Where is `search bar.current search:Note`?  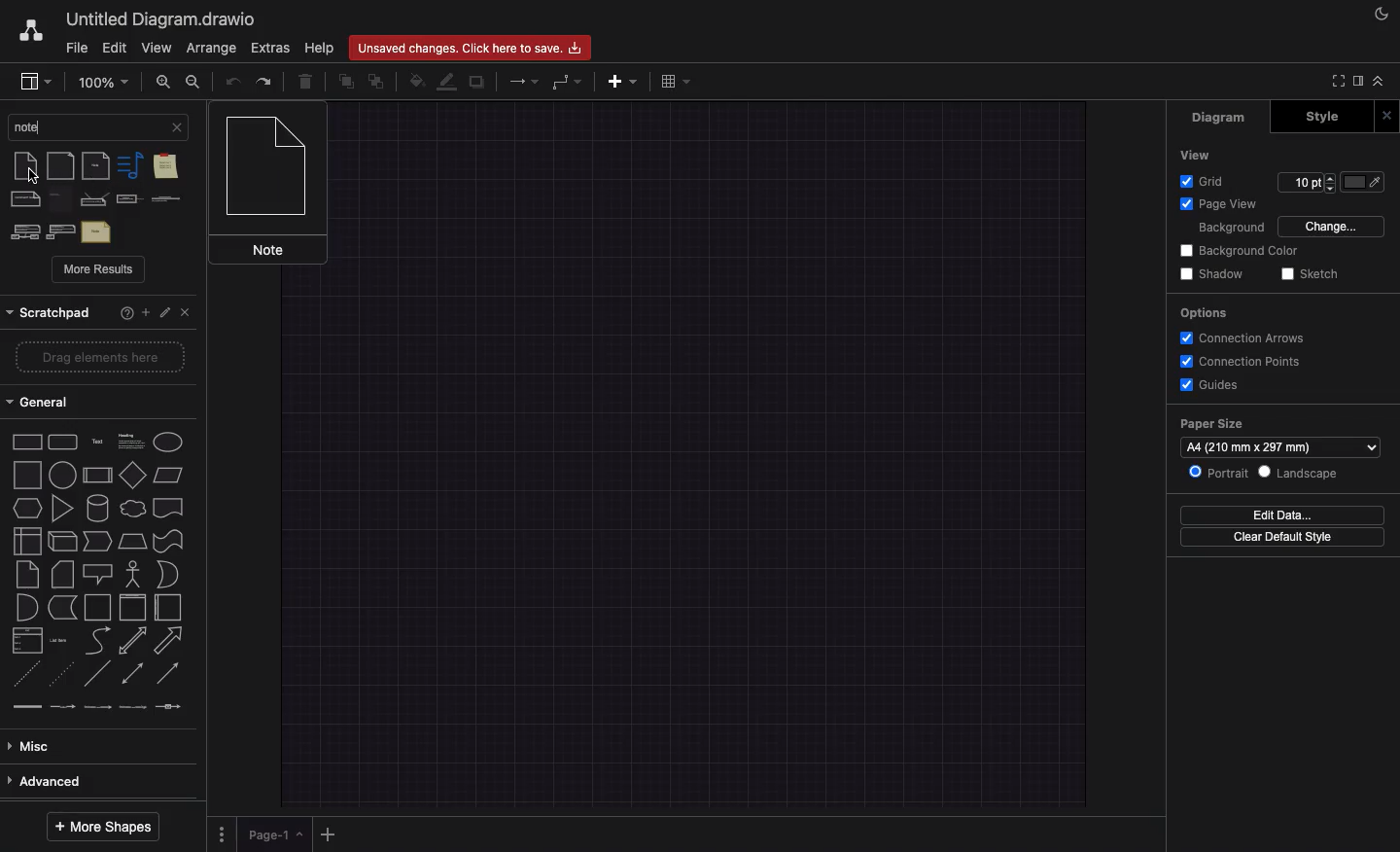 search bar.current search:Note is located at coordinates (85, 125).